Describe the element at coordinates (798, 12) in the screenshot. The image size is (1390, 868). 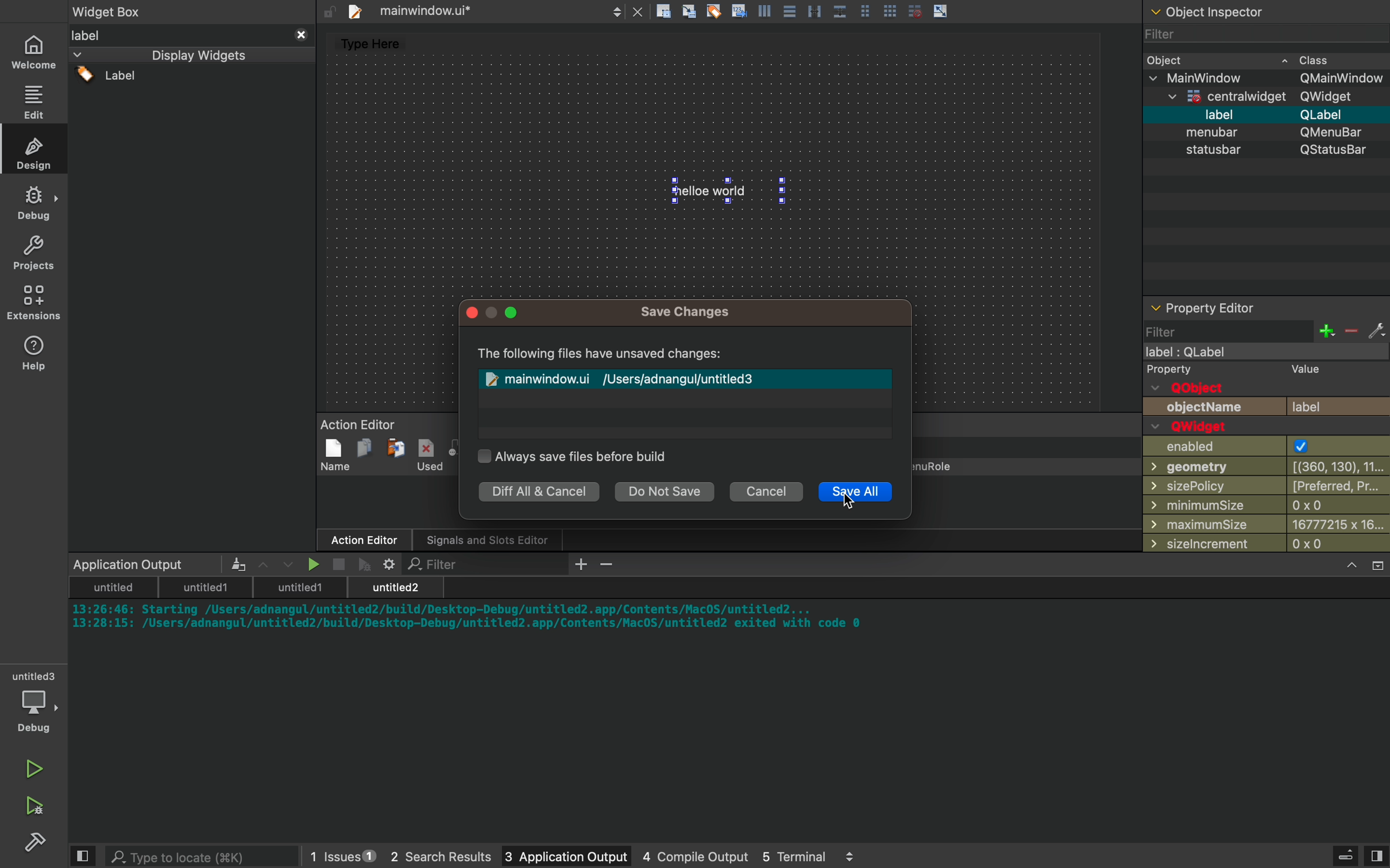
I see `` at that location.